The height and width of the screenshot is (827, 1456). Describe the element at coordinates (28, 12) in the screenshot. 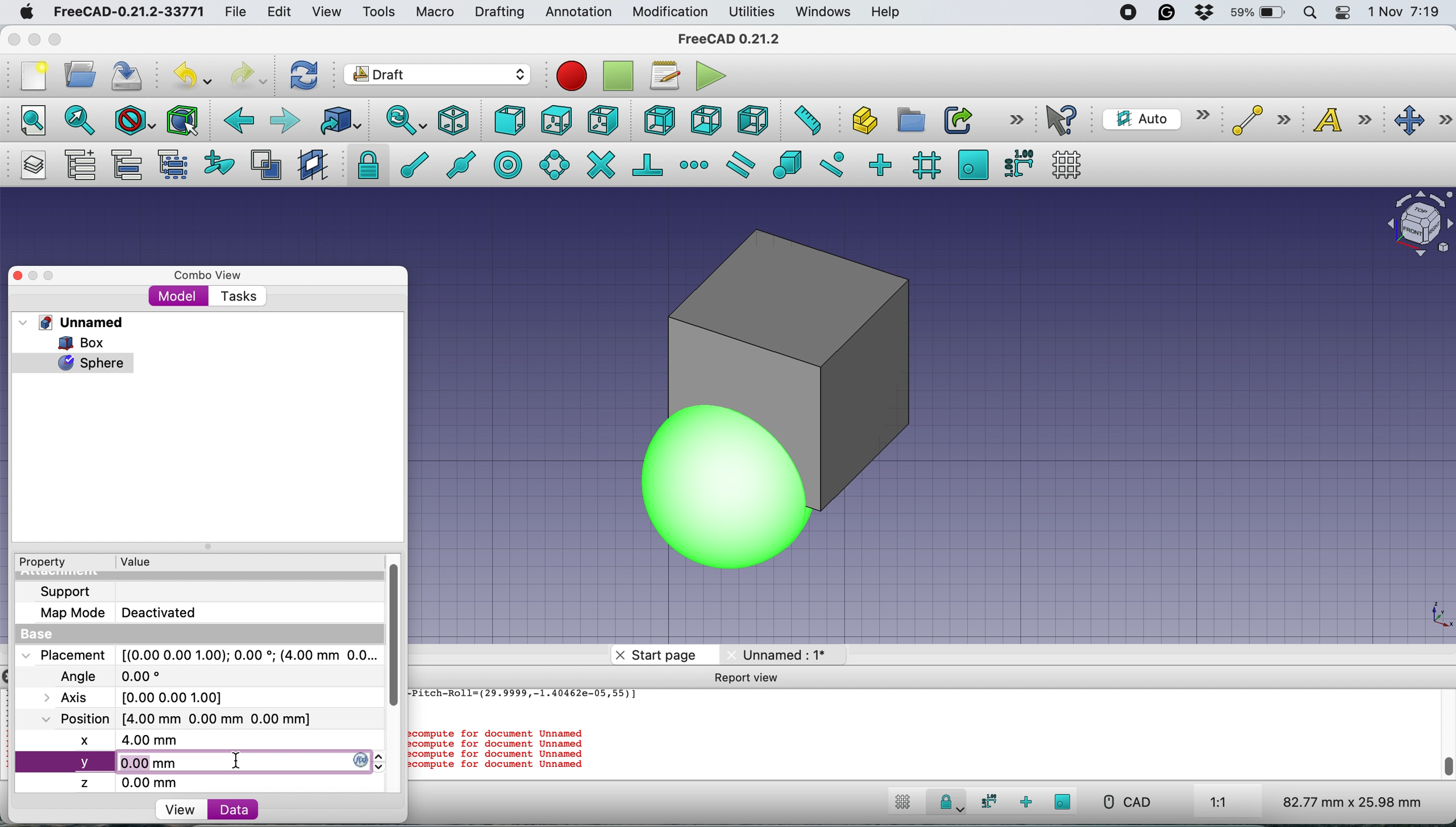

I see `system logo` at that location.